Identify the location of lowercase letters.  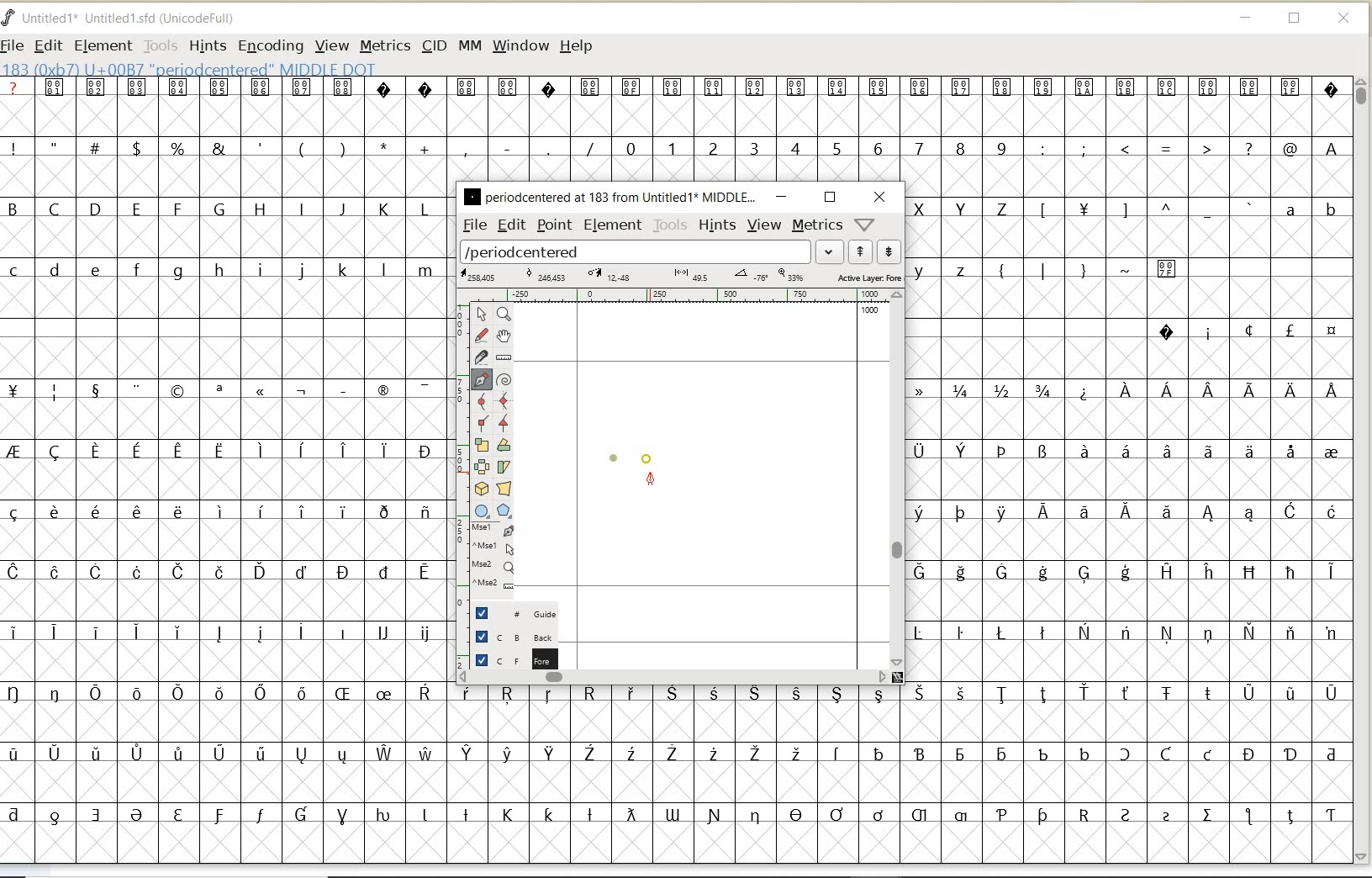
(224, 271).